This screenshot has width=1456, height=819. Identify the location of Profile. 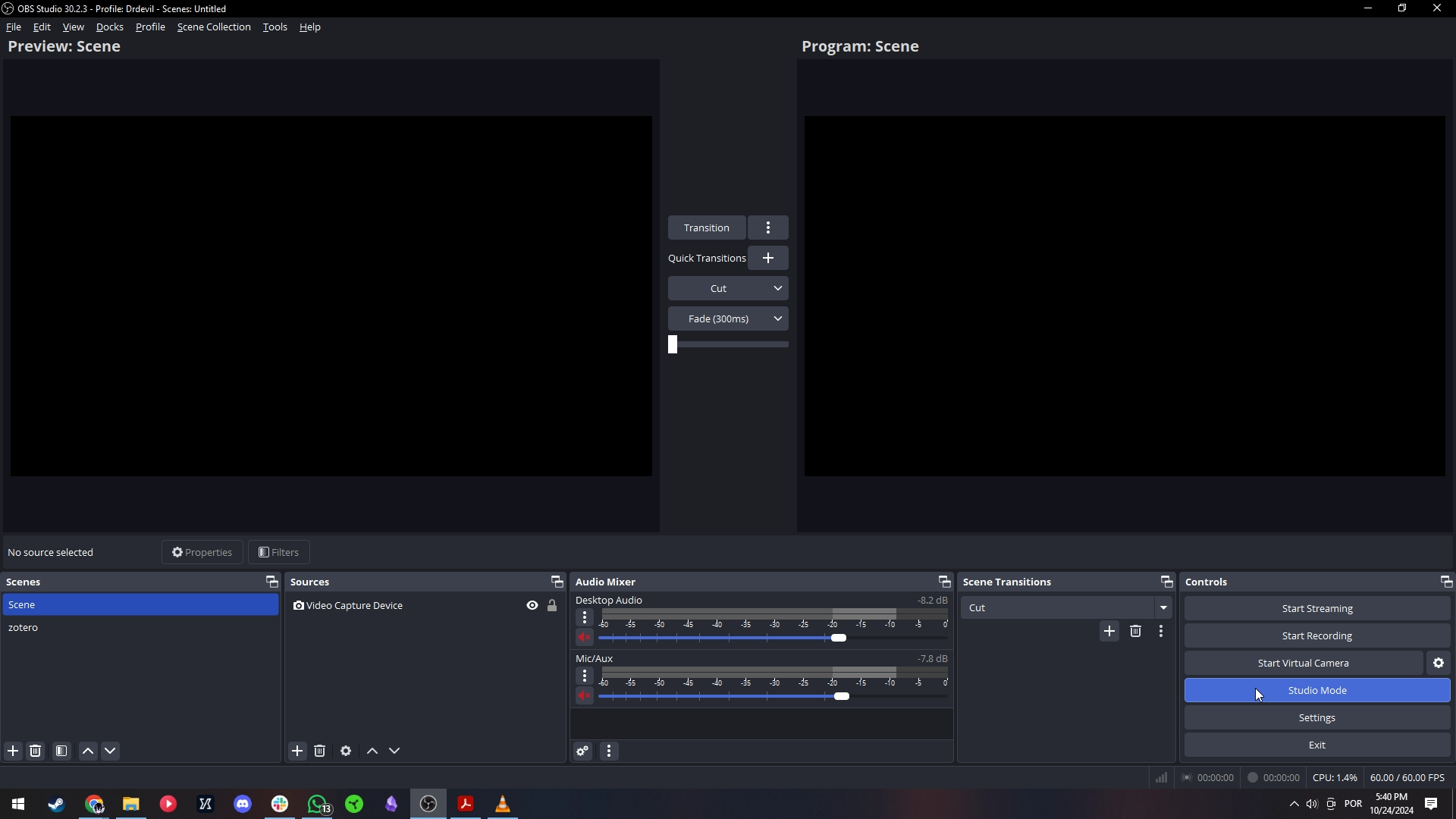
(152, 27).